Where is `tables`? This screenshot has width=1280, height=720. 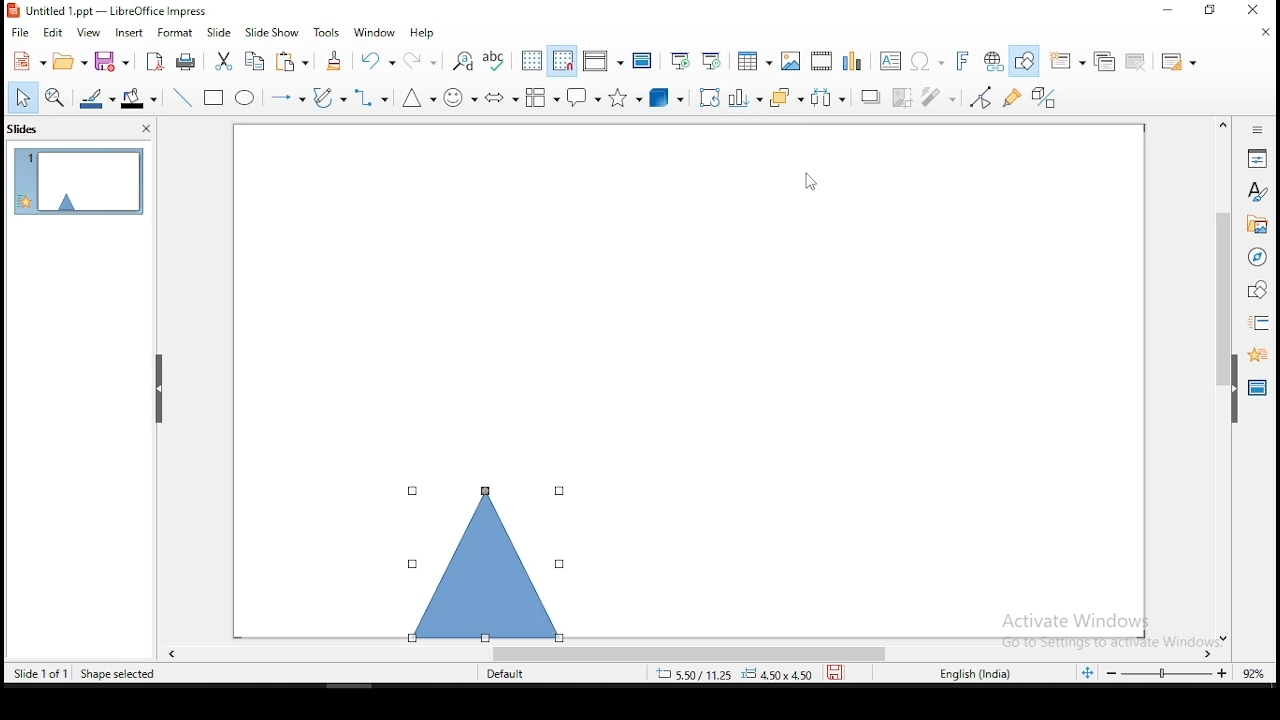
tables is located at coordinates (755, 61).